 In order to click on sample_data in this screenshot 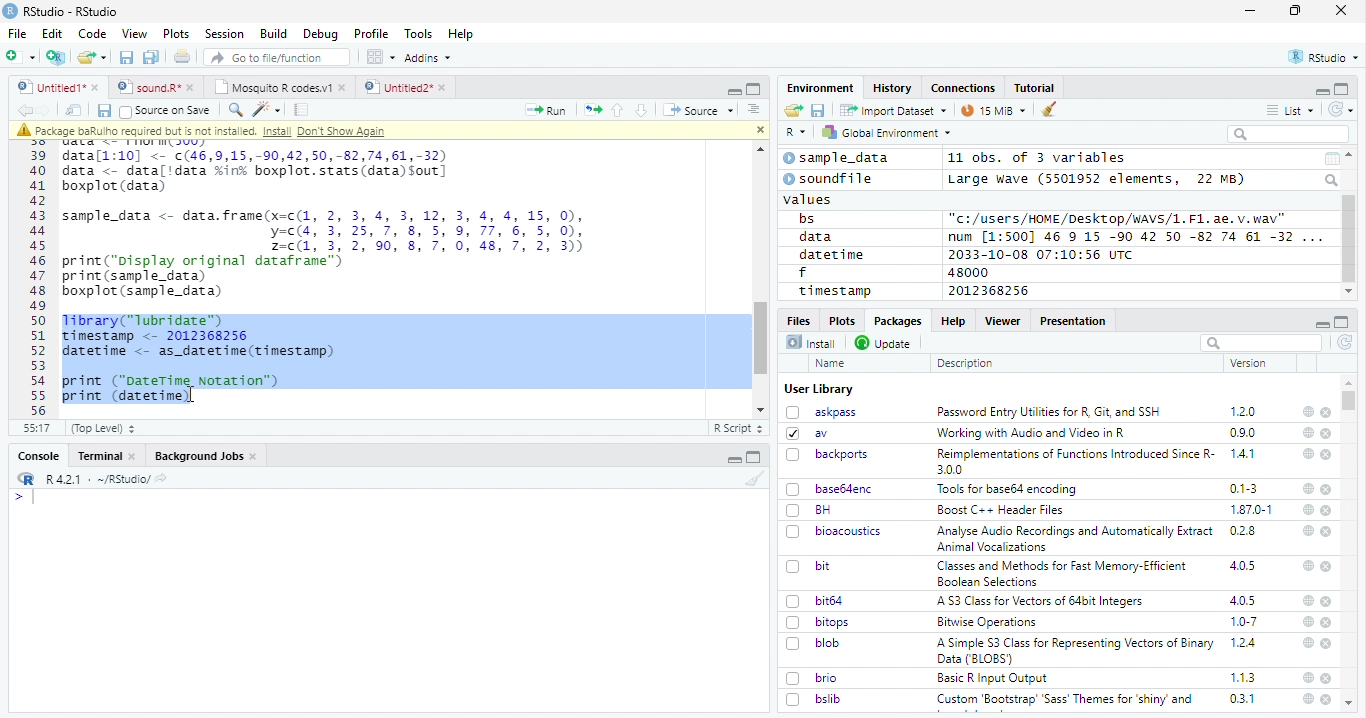, I will do `click(839, 158)`.